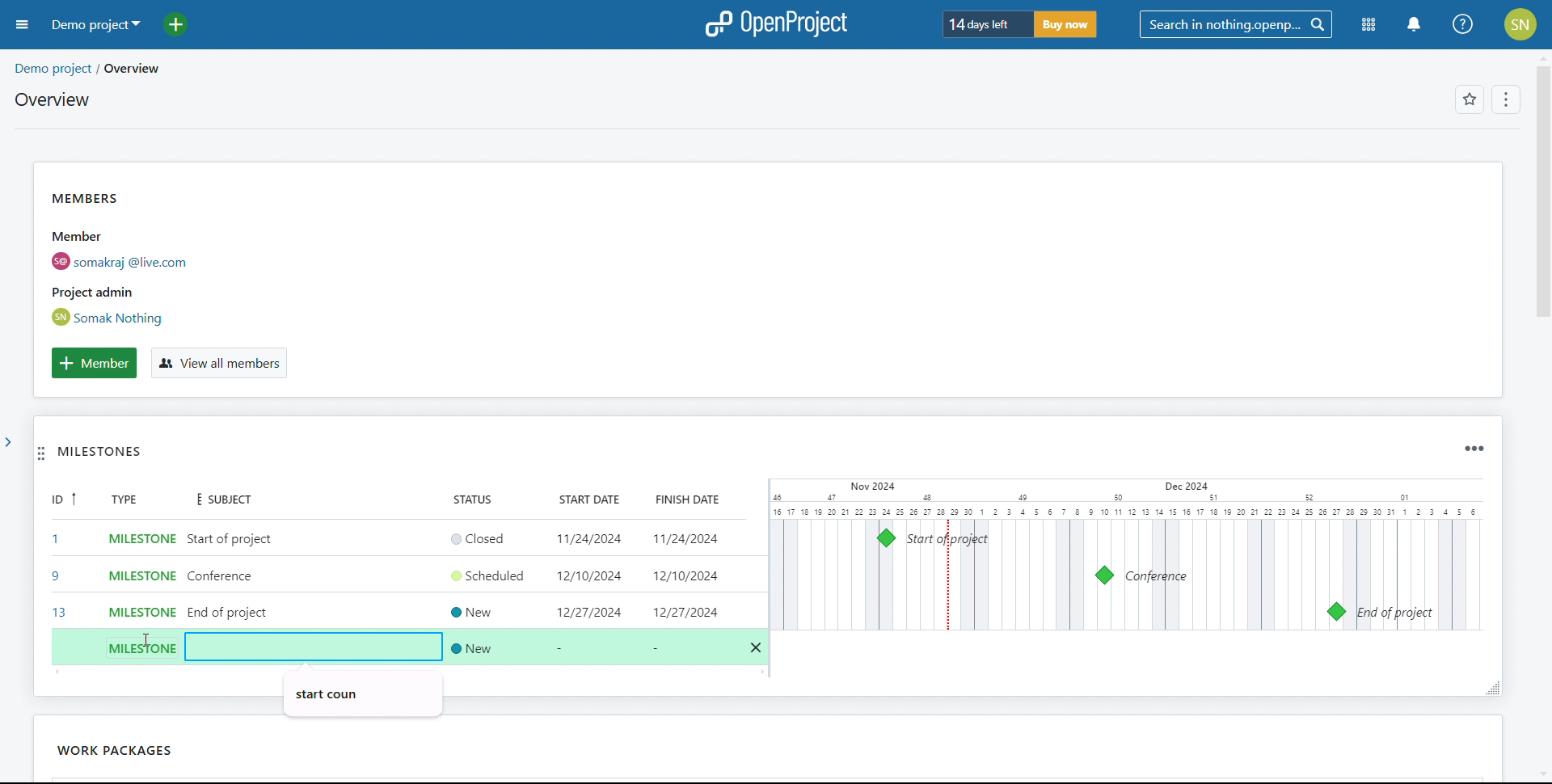  I want to click on notification, so click(1413, 25).